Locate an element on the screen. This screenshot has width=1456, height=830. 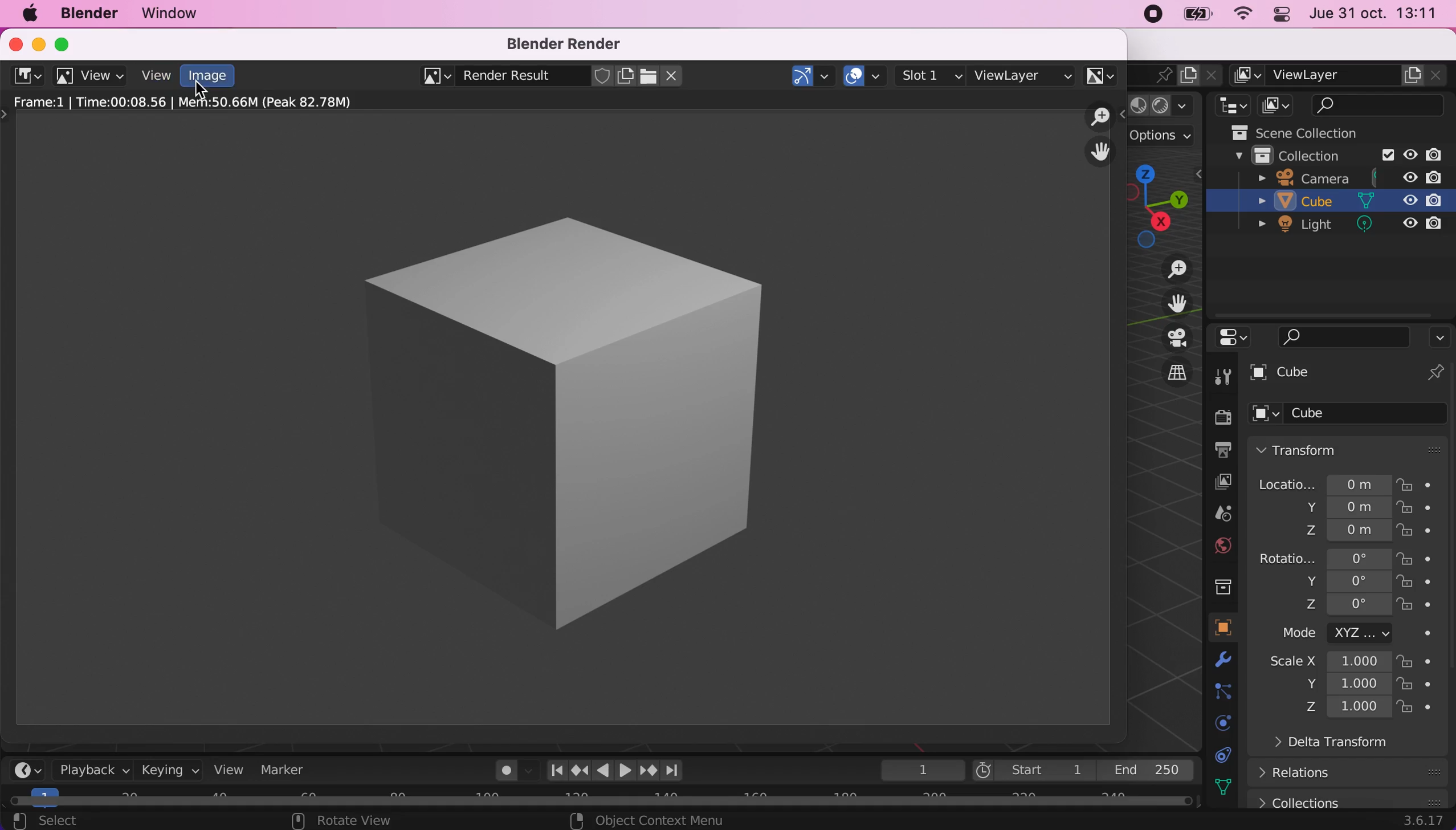
playback is located at coordinates (91, 771).